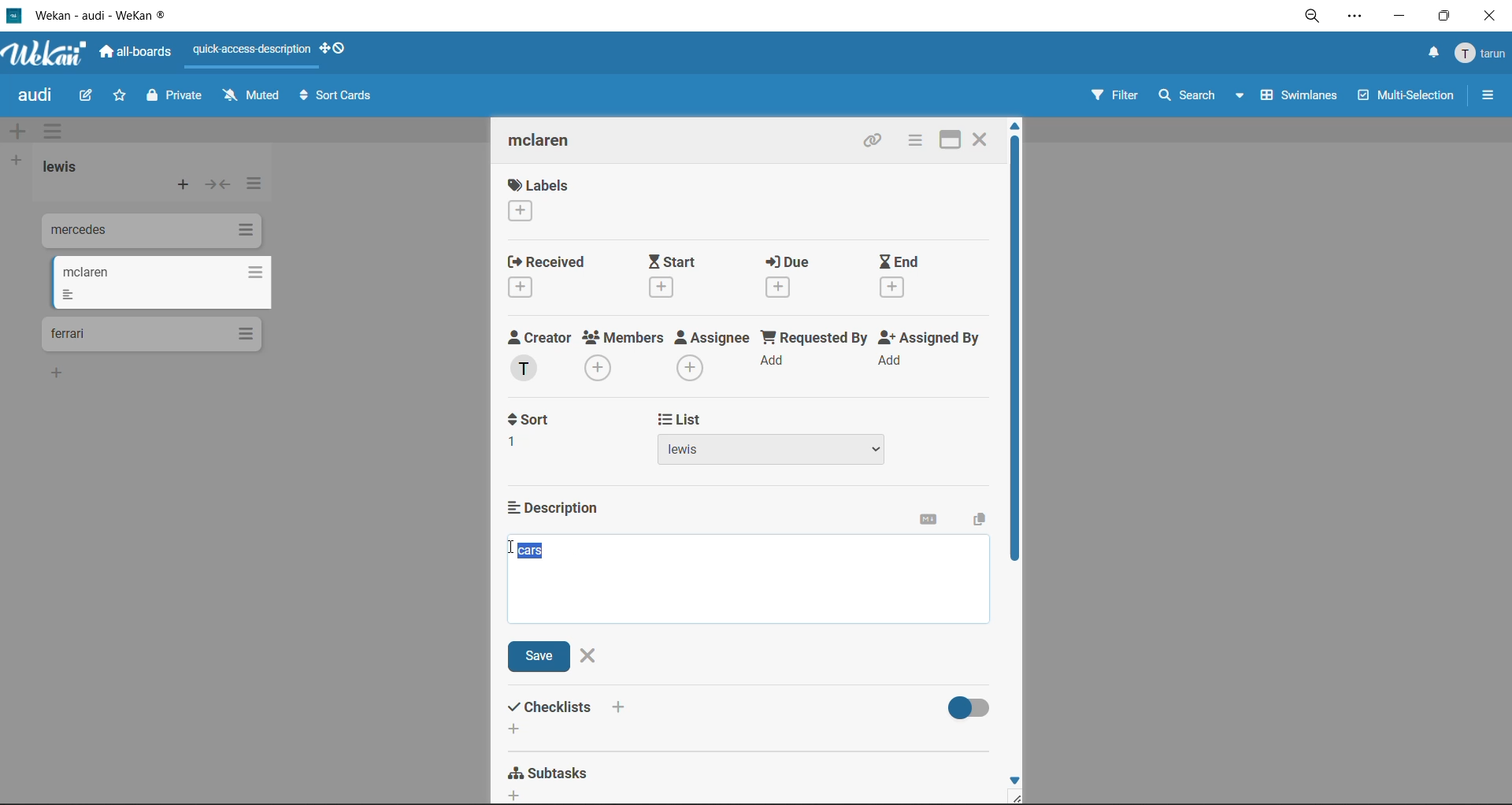 Image resolution: width=1512 pixels, height=805 pixels. What do you see at coordinates (251, 187) in the screenshot?
I see `list actions` at bounding box center [251, 187].